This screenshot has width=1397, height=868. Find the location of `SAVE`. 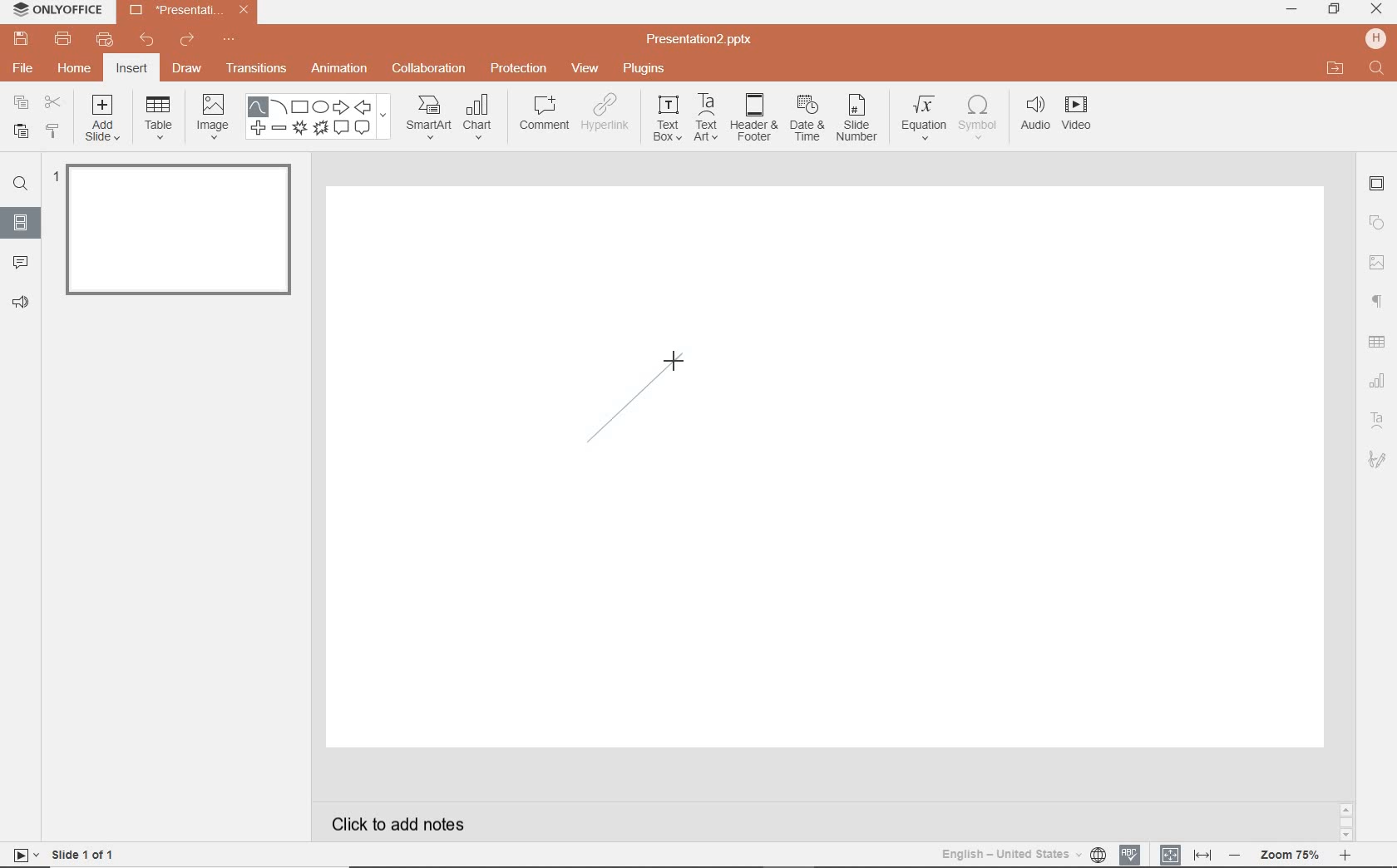

SAVE is located at coordinates (24, 40).